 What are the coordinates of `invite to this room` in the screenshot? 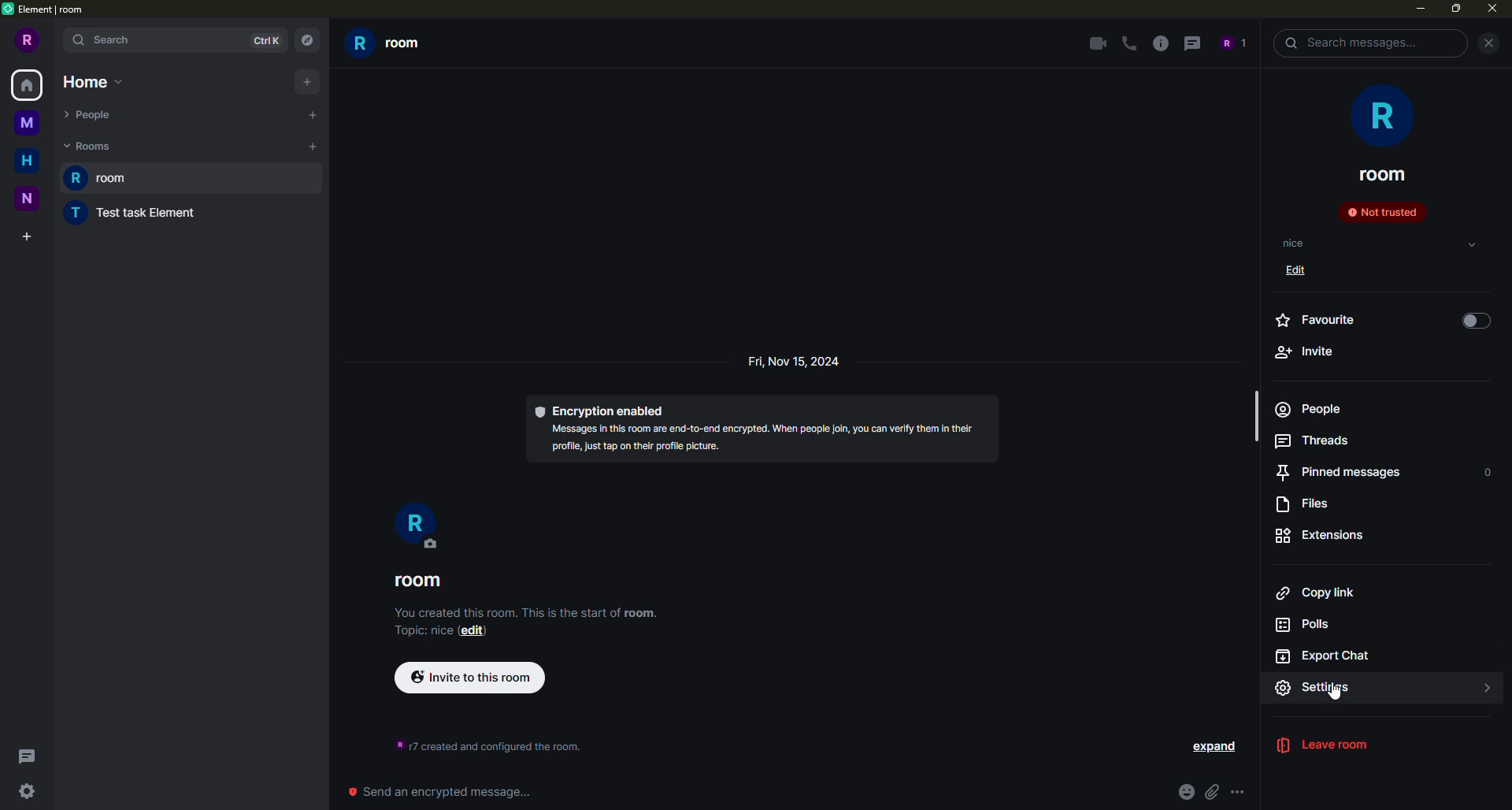 It's located at (467, 679).